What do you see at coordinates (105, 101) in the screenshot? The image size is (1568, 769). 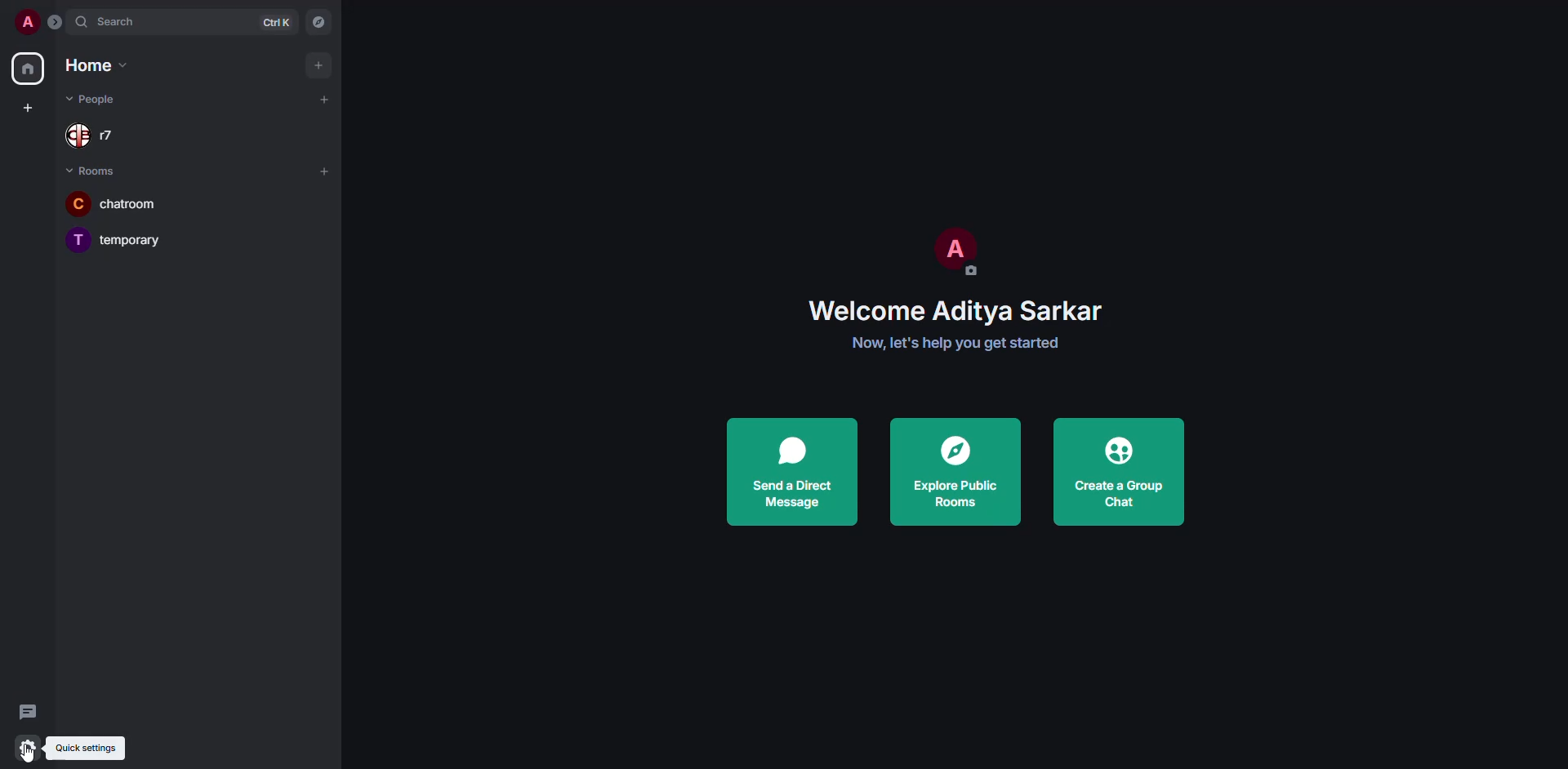 I see `people` at bounding box center [105, 101].